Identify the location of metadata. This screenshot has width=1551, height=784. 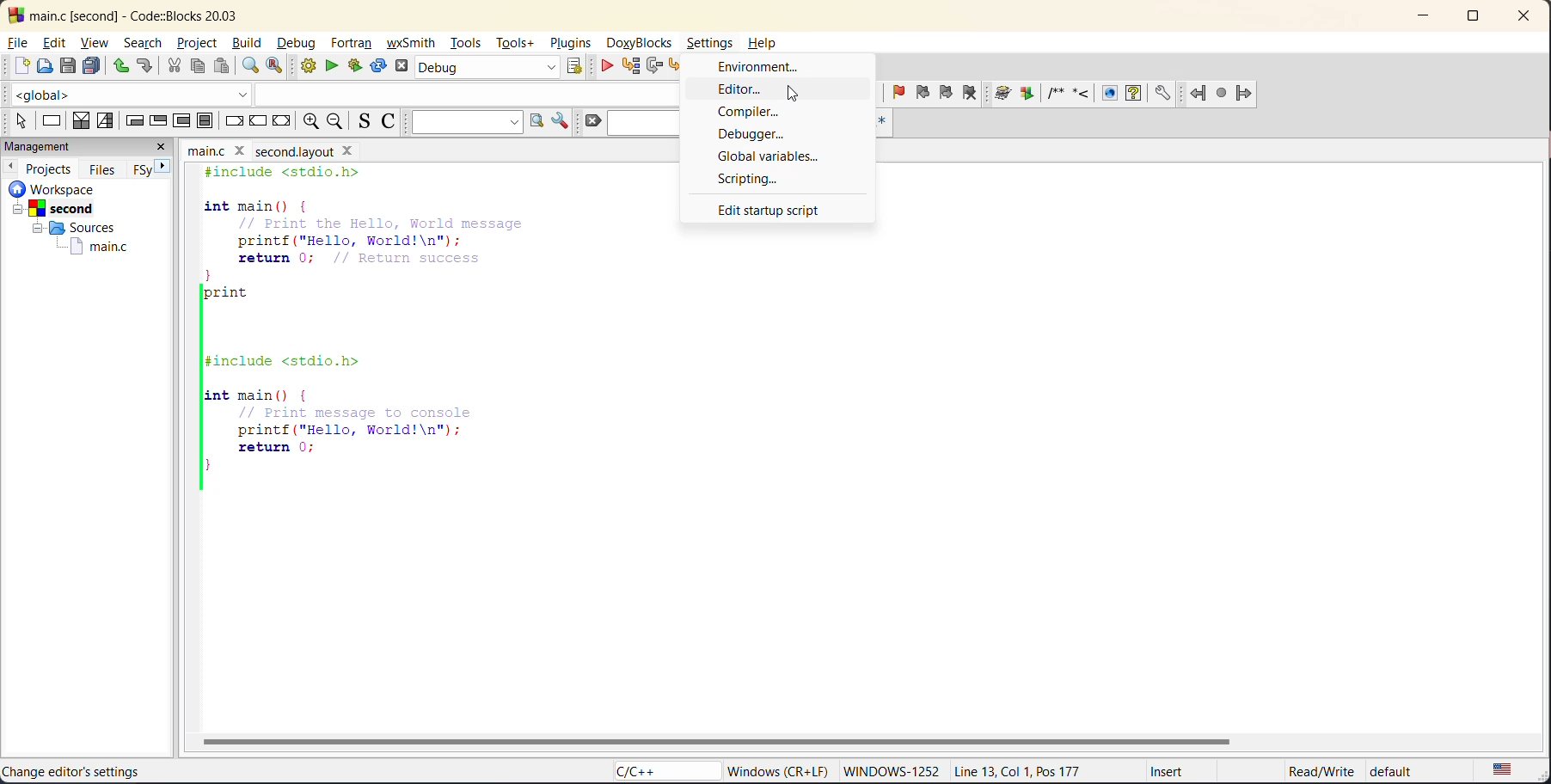
(781, 770).